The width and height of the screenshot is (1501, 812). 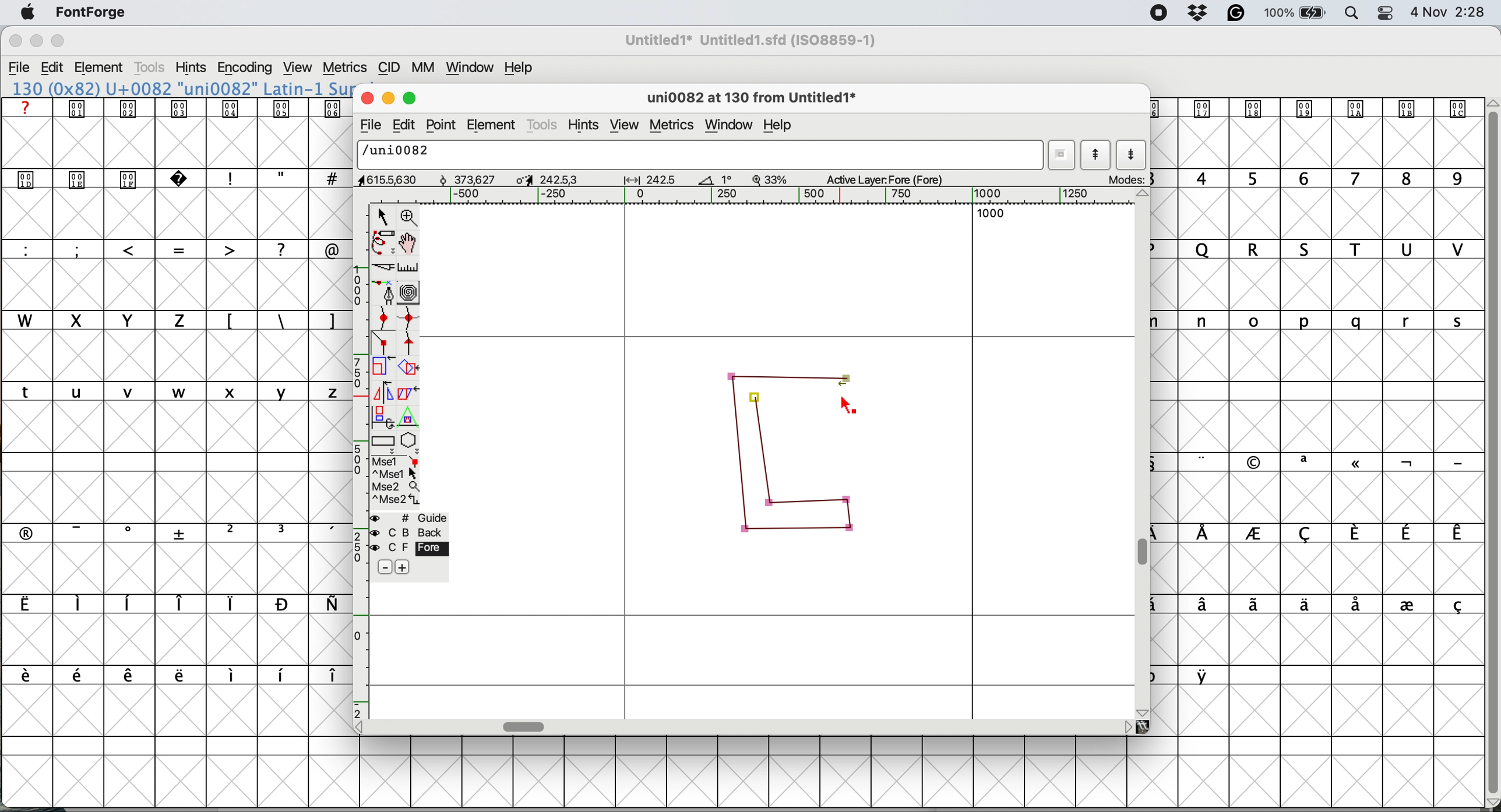 What do you see at coordinates (410, 518) in the screenshot?
I see `guide` at bounding box center [410, 518].